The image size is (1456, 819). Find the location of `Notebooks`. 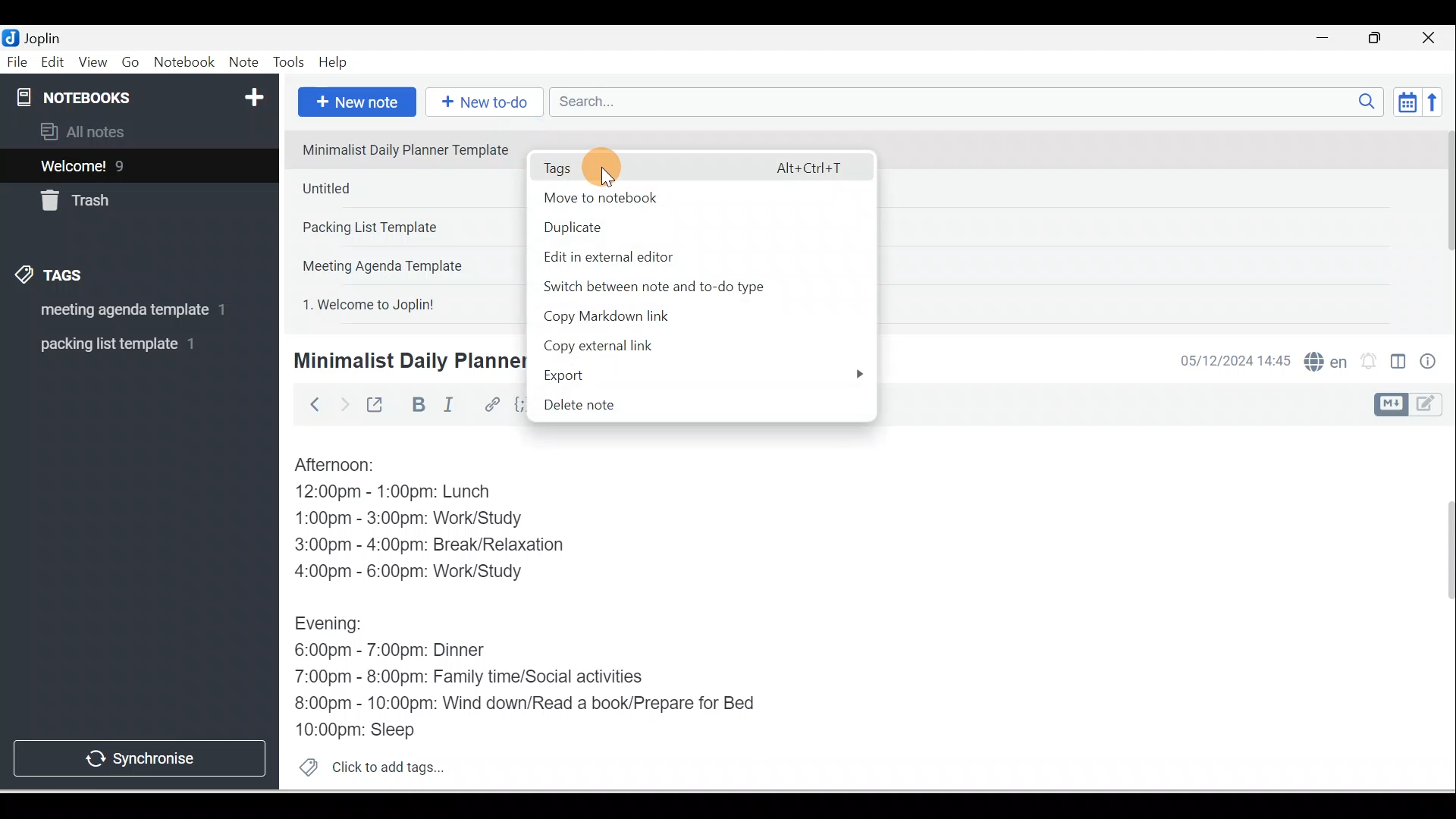

Notebooks is located at coordinates (143, 94).